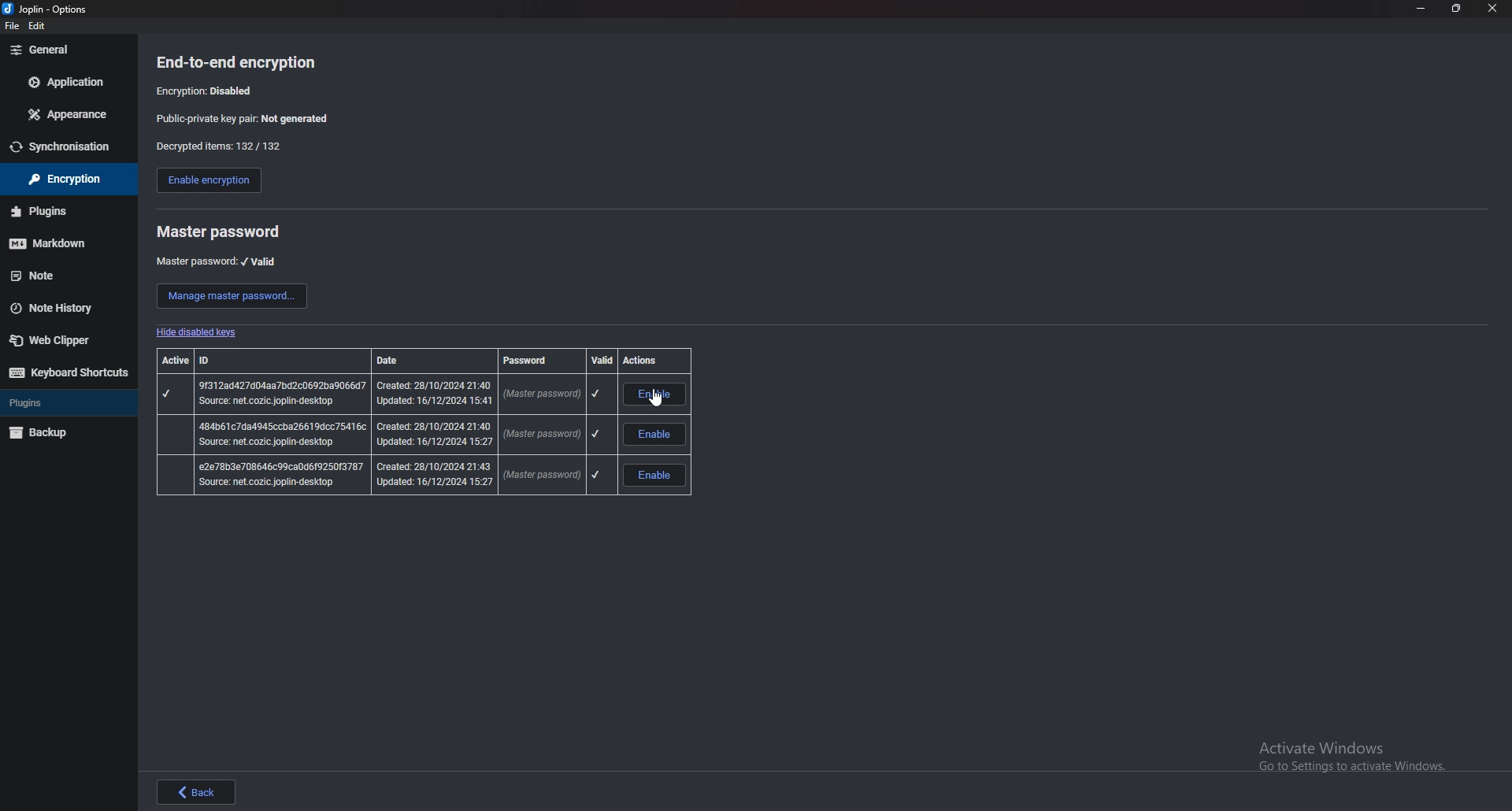 The width and height of the screenshot is (1512, 811). What do you see at coordinates (64, 434) in the screenshot?
I see `backup` at bounding box center [64, 434].